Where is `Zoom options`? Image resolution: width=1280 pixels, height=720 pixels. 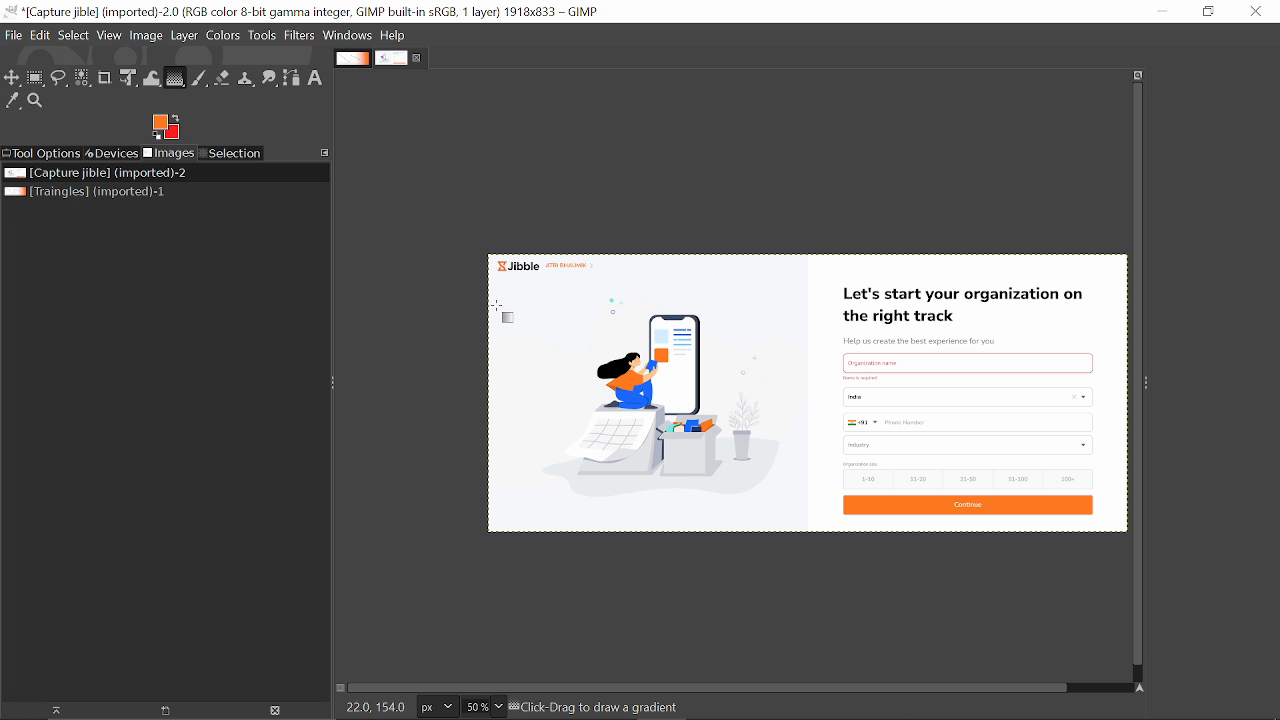 Zoom options is located at coordinates (498, 707).